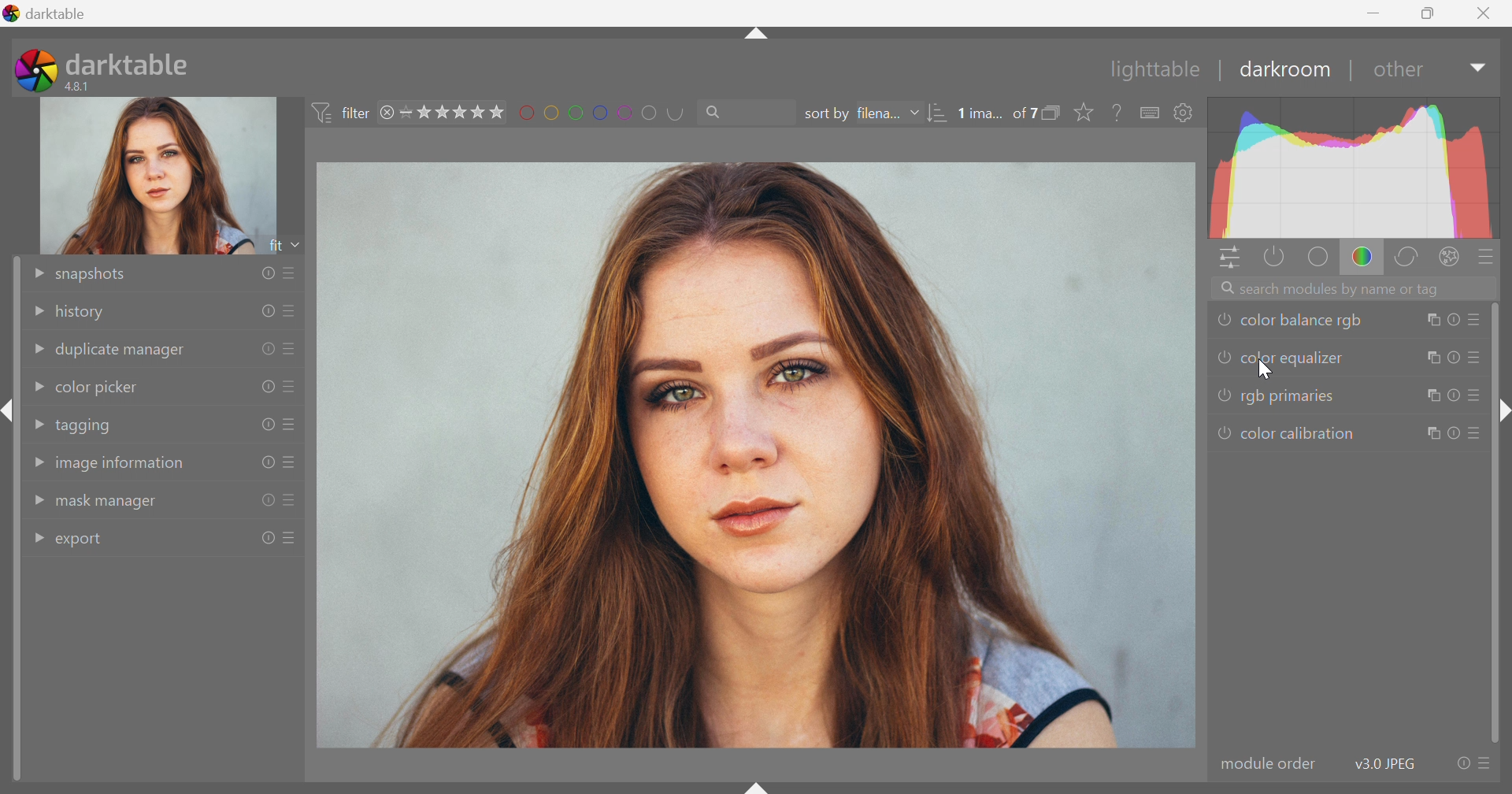  What do you see at coordinates (1429, 361) in the screenshot?
I see `multiple instance actions` at bounding box center [1429, 361].